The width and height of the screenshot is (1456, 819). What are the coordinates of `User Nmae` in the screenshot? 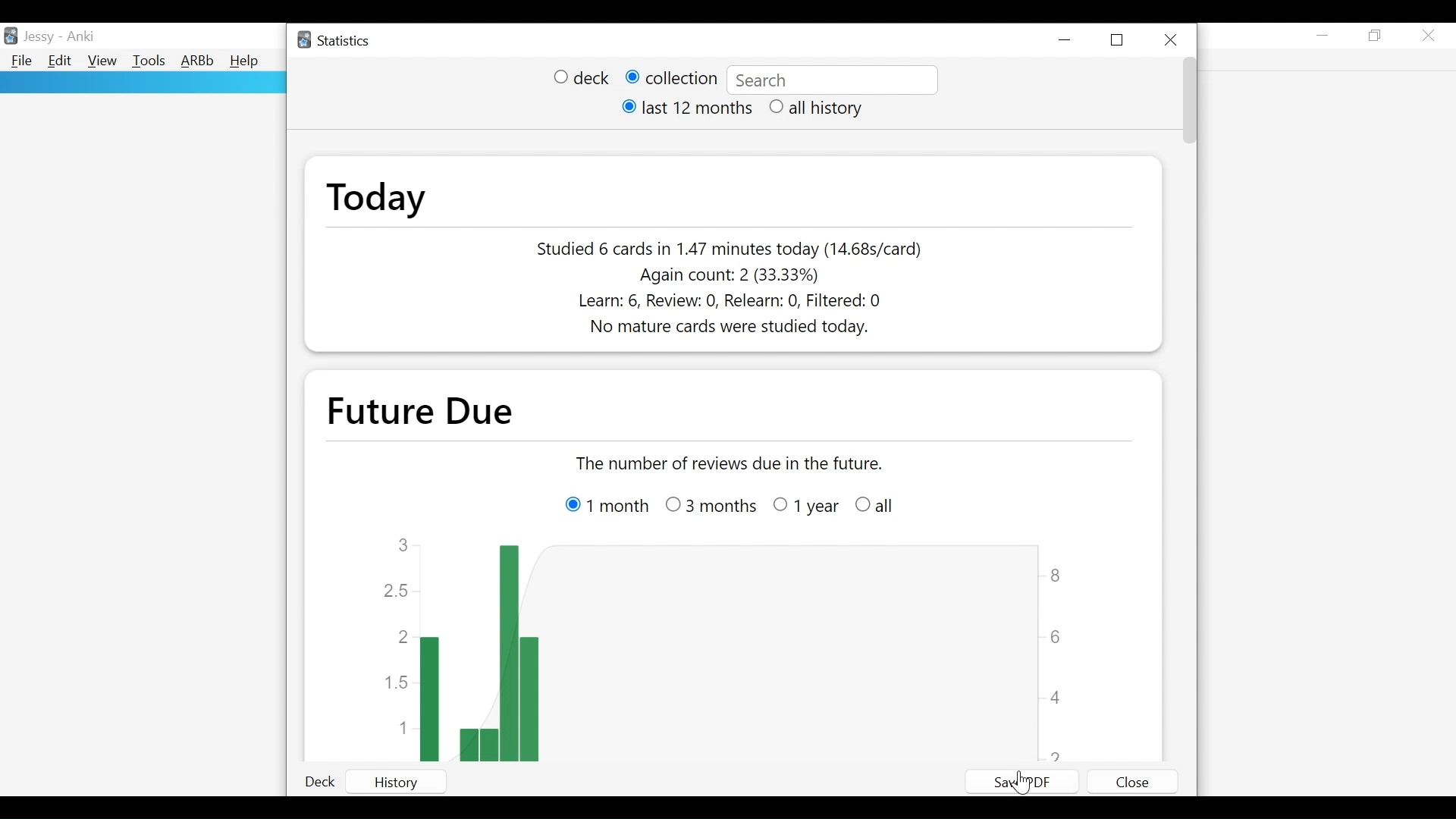 It's located at (39, 39).